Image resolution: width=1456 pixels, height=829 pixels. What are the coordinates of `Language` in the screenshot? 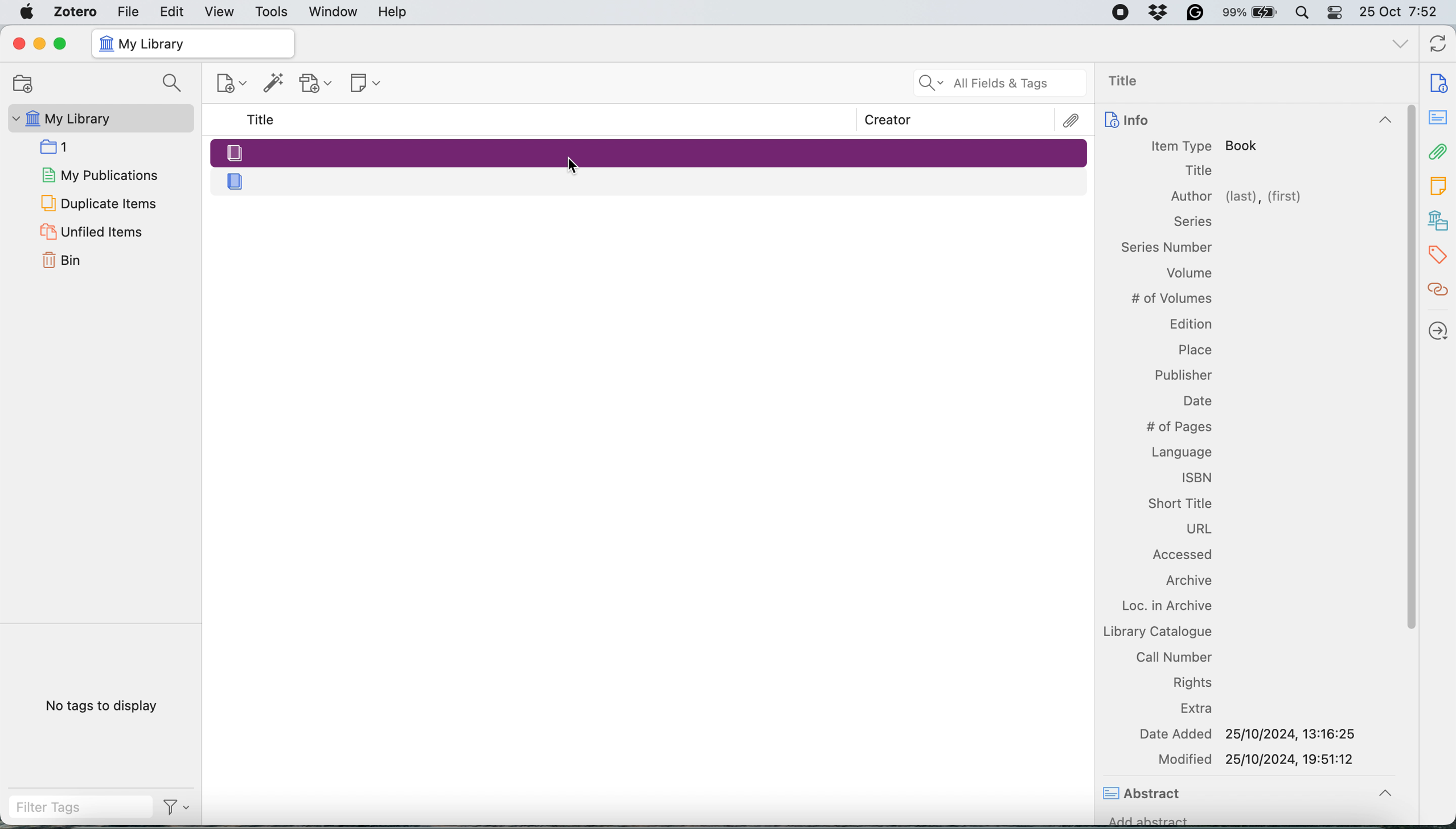 It's located at (1181, 450).